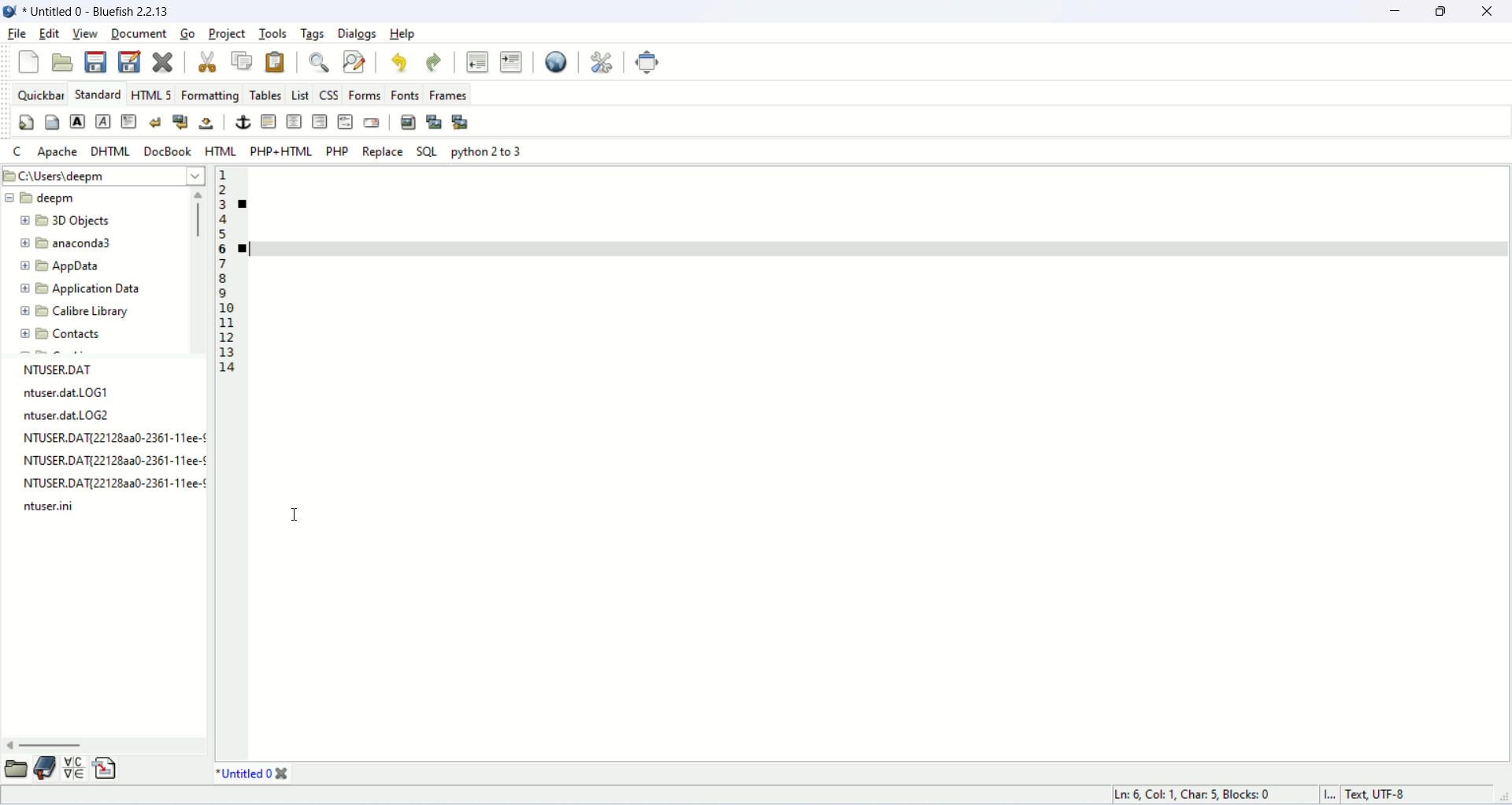  What do you see at coordinates (398, 61) in the screenshot?
I see `undo` at bounding box center [398, 61].